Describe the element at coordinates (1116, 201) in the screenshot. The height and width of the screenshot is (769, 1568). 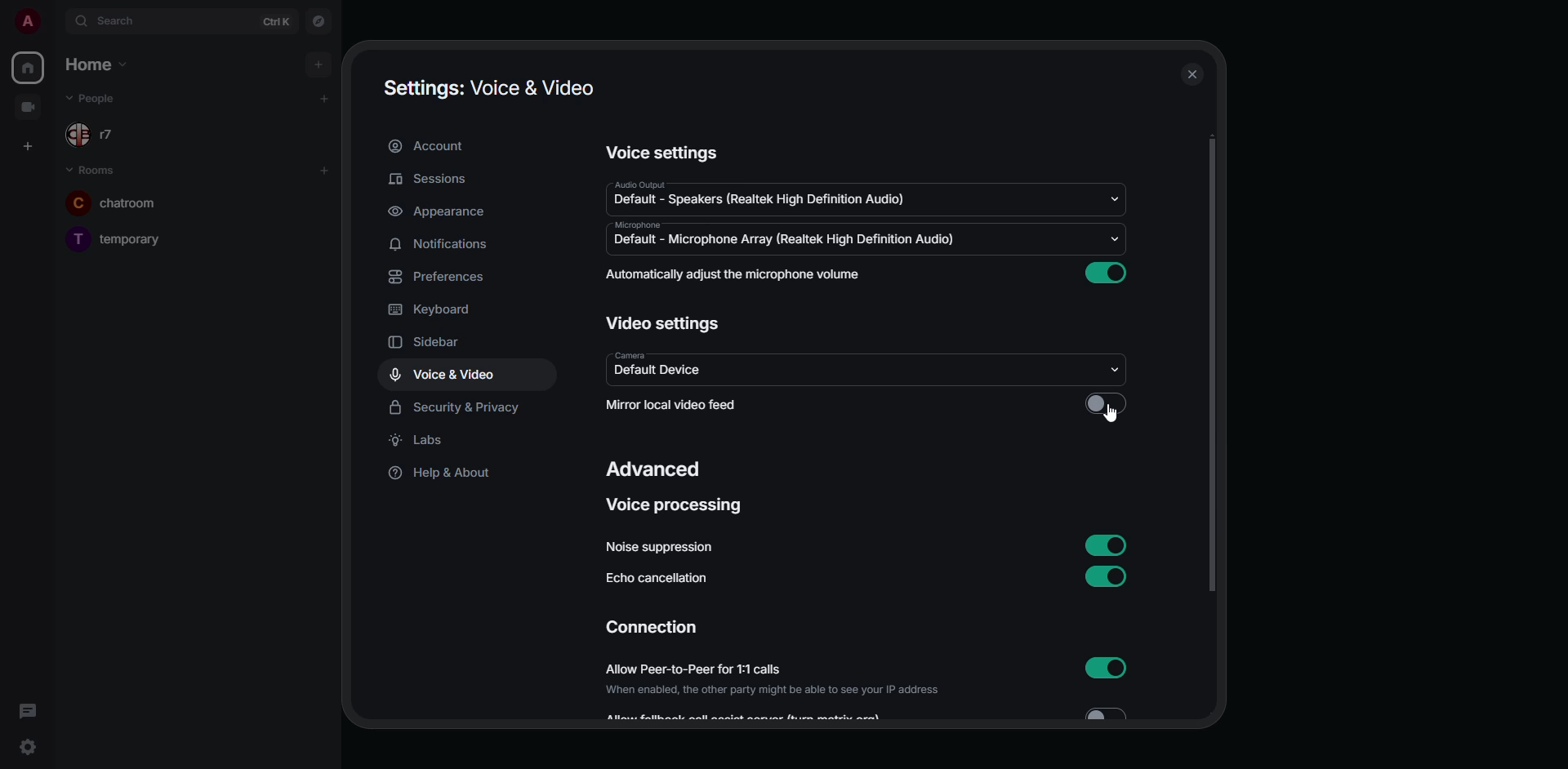
I see `drop down` at that location.